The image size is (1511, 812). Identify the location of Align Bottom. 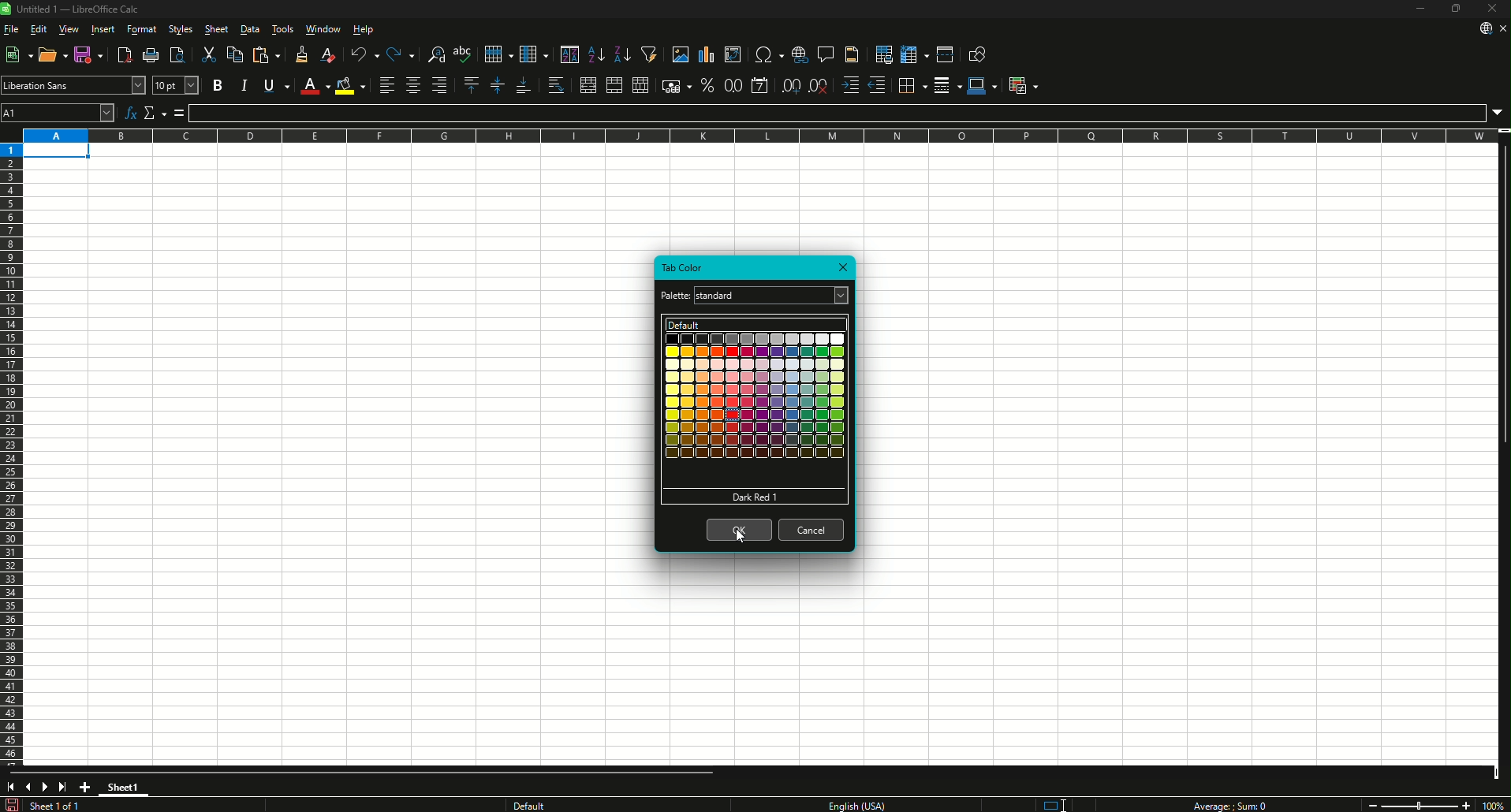
(524, 85).